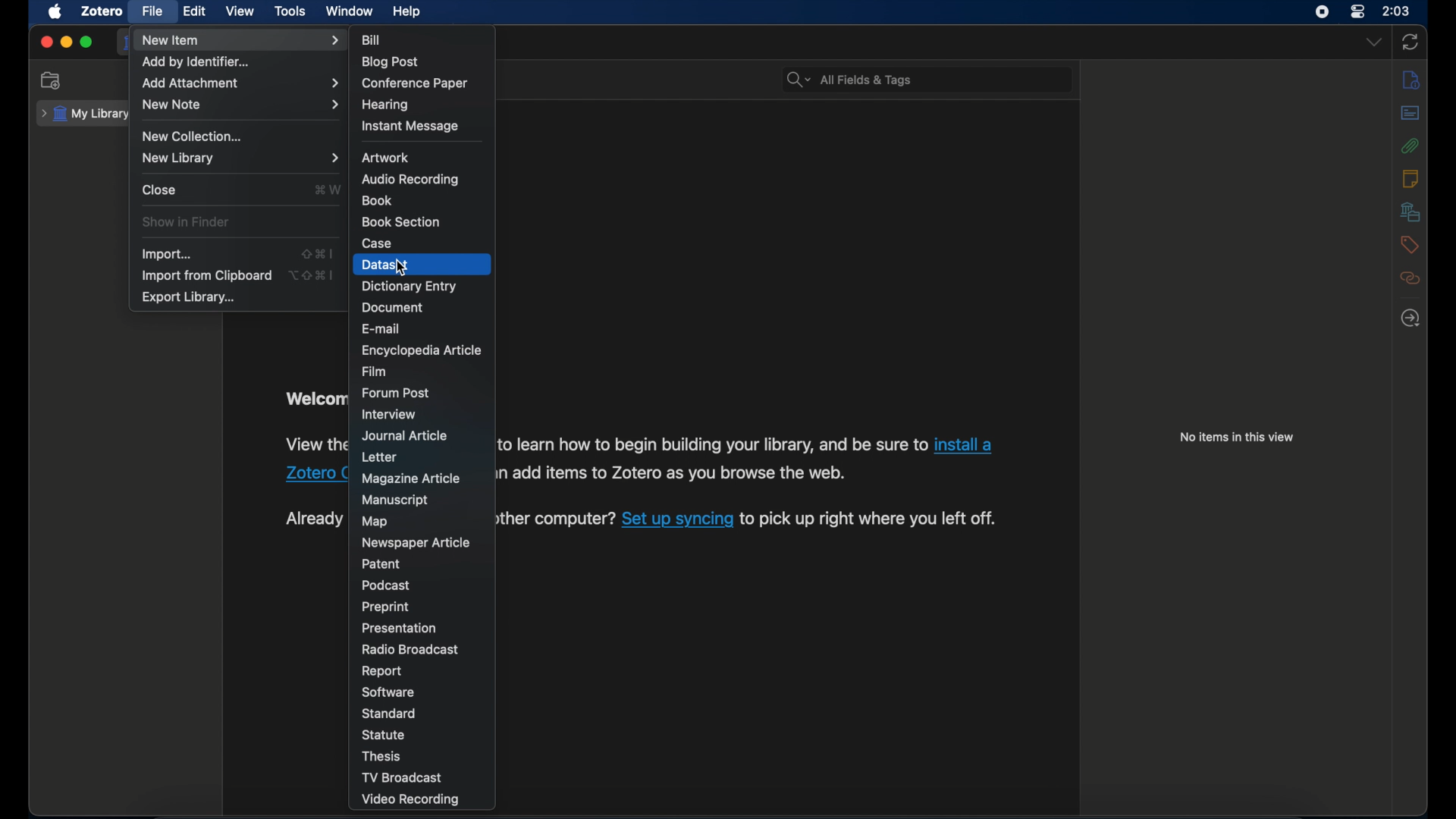 The image size is (1456, 819). What do you see at coordinates (318, 253) in the screenshot?
I see `shortcut` at bounding box center [318, 253].